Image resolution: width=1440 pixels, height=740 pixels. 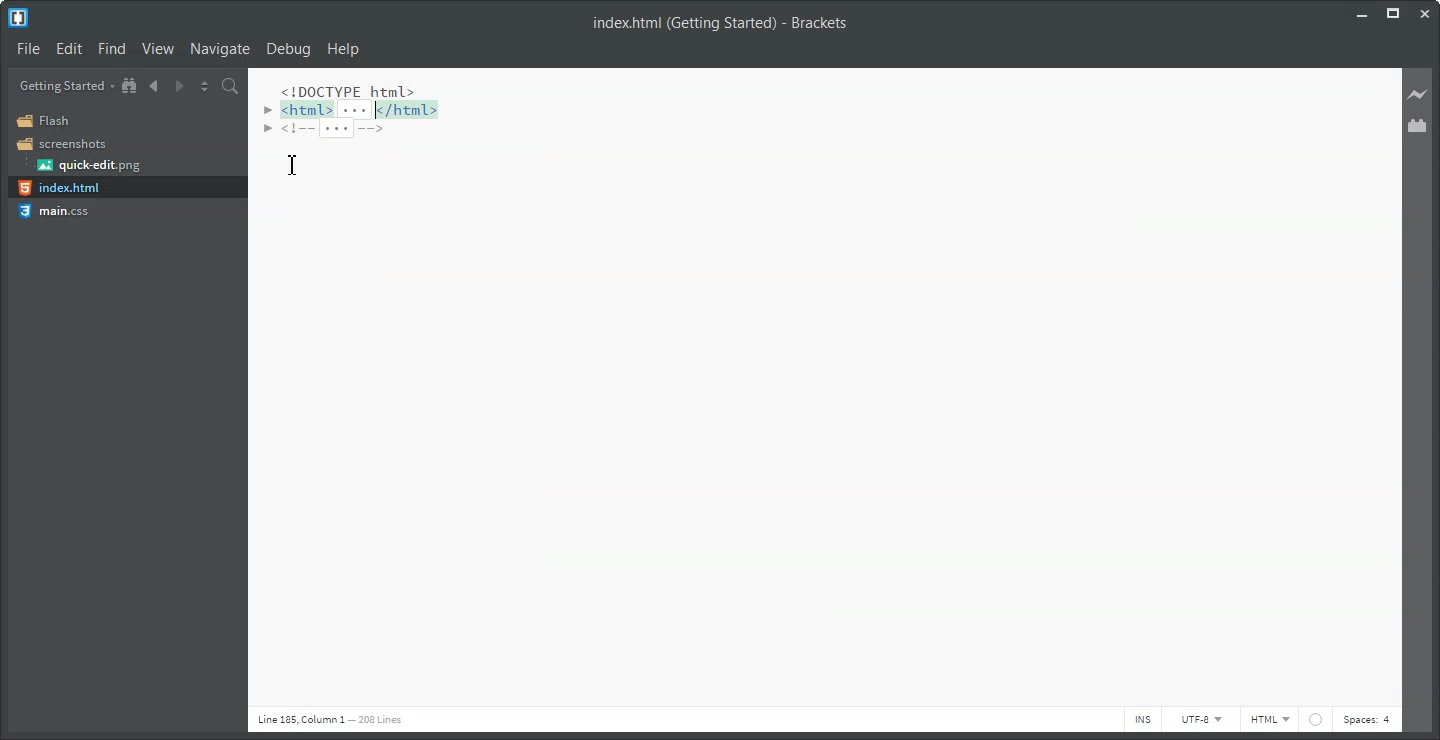 I want to click on Screenshots, so click(x=62, y=144).